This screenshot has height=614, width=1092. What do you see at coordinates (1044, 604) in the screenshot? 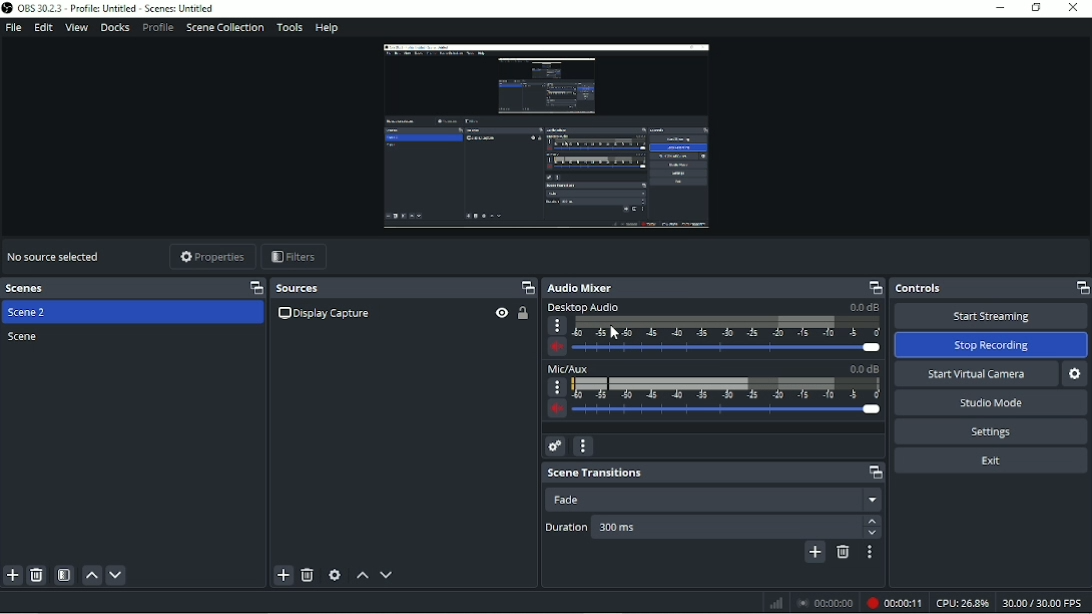
I see `FPS` at bounding box center [1044, 604].